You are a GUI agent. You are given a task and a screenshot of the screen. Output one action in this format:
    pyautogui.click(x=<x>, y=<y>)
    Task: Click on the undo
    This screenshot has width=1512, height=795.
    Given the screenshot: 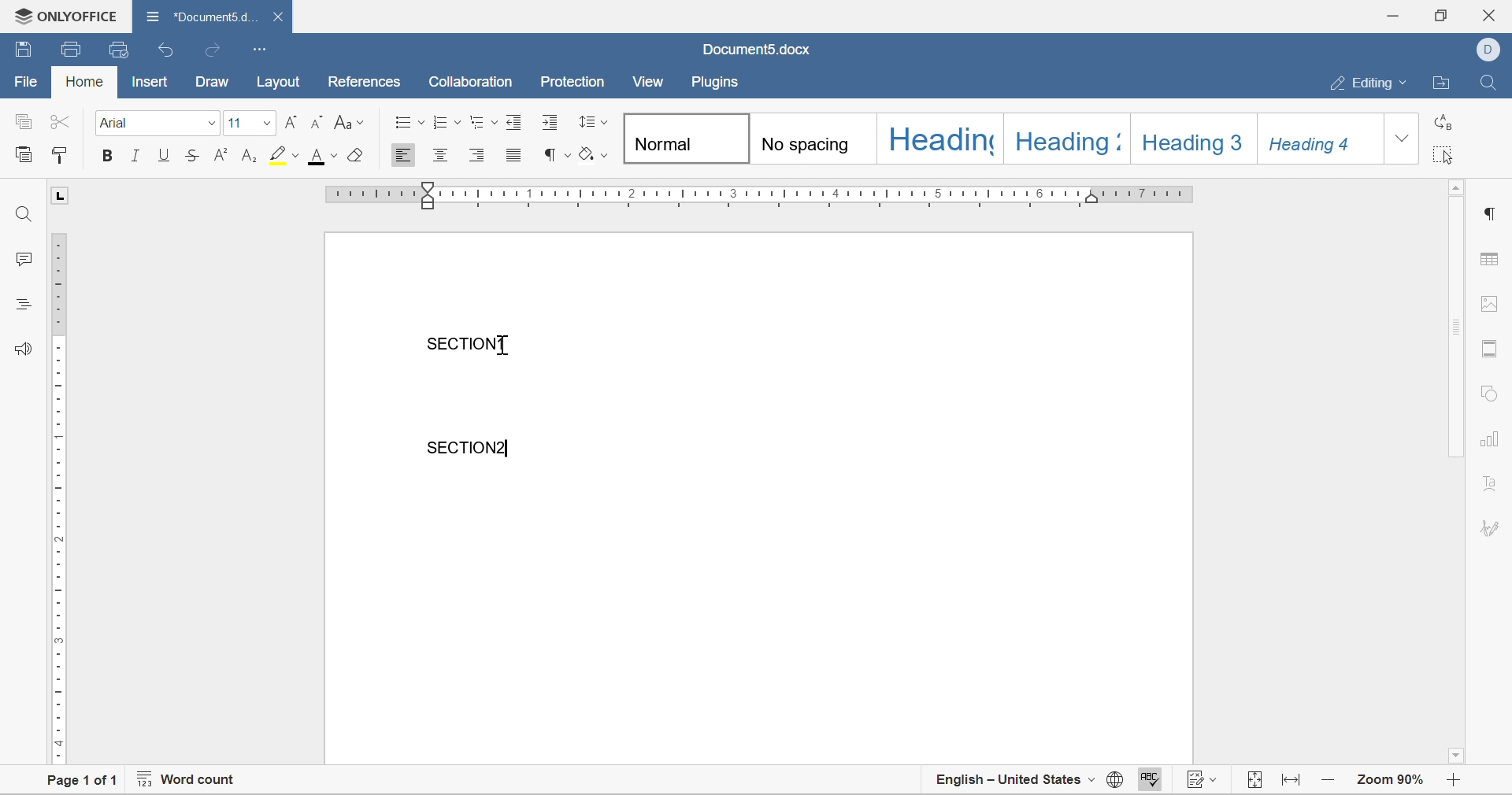 What is the action you would take?
    pyautogui.click(x=168, y=51)
    